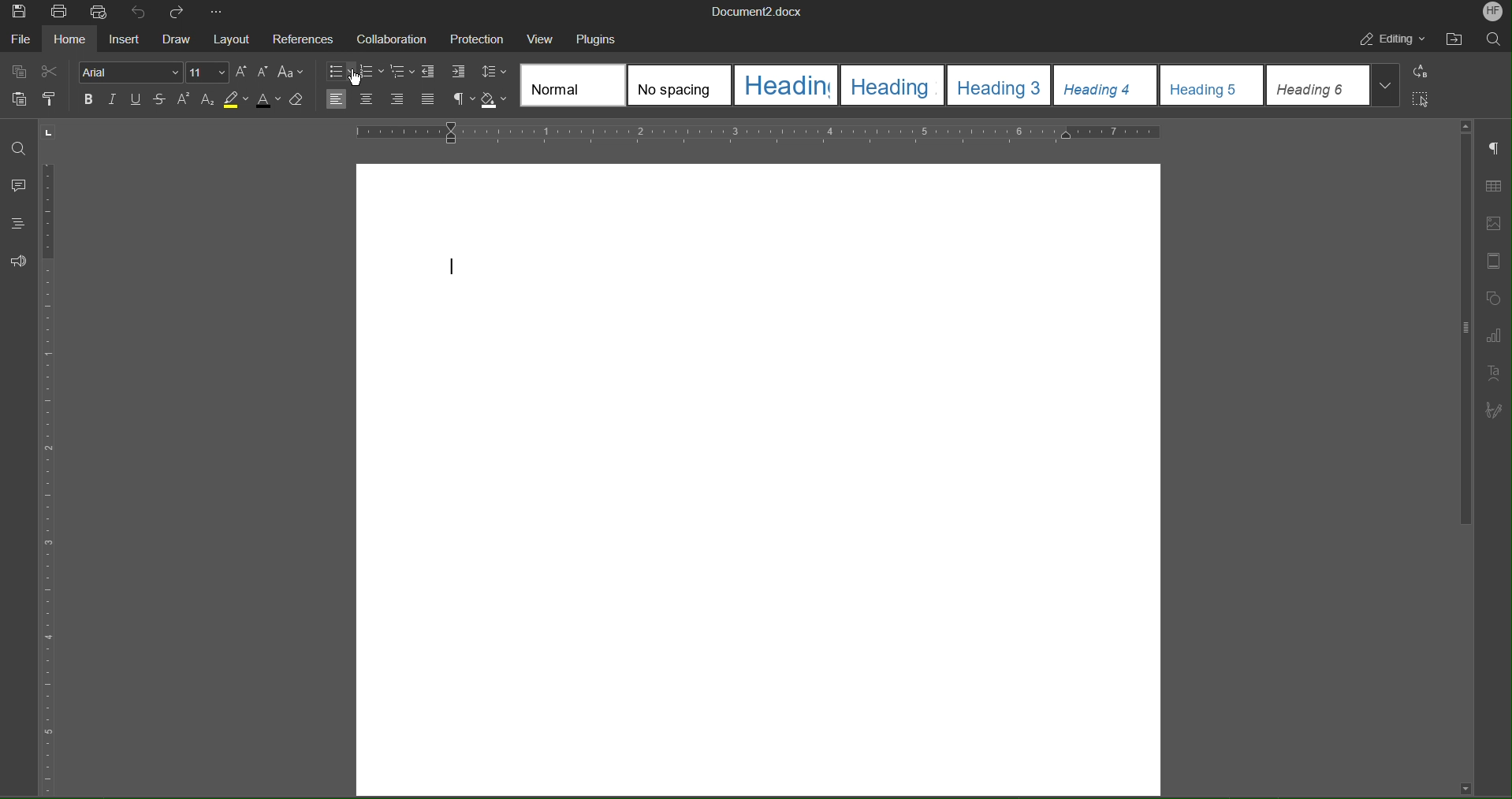 This screenshot has height=799, width=1512. What do you see at coordinates (19, 185) in the screenshot?
I see `Comments` at bounding box center [19, 185].